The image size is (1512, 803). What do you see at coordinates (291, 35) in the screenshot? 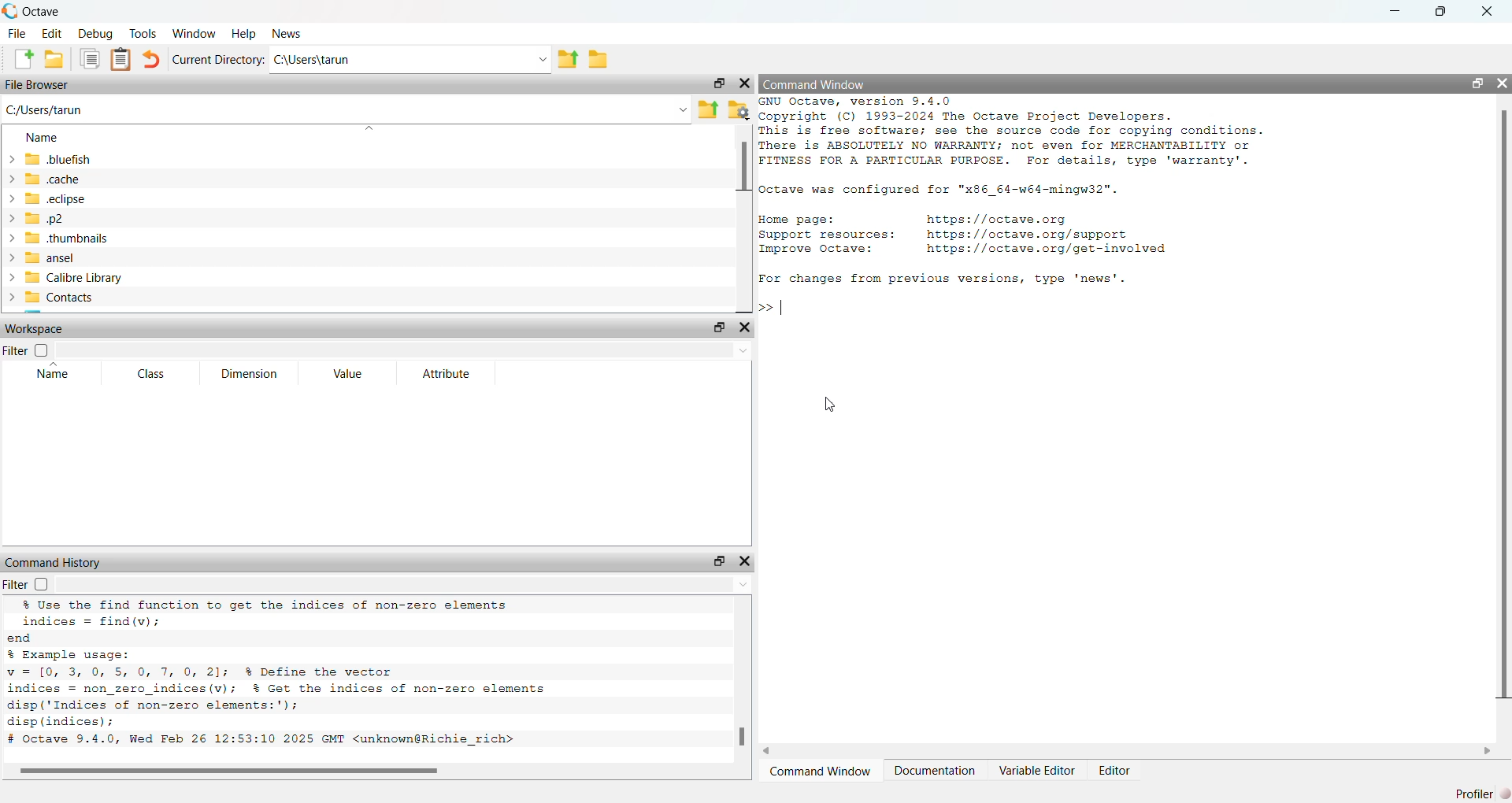
I see `News` at bounding box center [291, 35].